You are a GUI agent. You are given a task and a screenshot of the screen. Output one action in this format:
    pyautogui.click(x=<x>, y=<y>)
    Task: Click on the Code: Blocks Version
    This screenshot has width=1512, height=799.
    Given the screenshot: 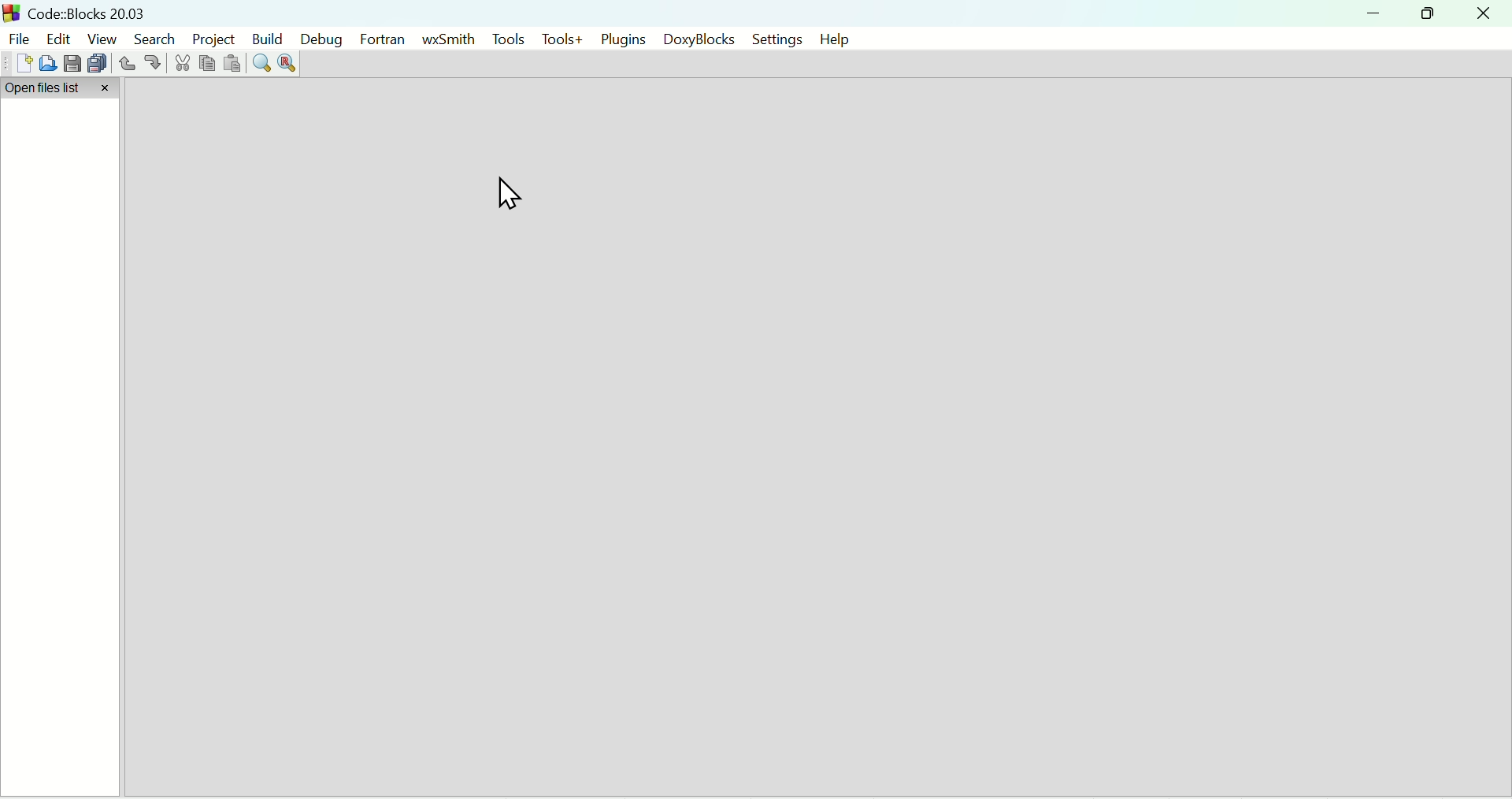 What is the action you would take?
    pyautogui.click(x=91, y=11)
    